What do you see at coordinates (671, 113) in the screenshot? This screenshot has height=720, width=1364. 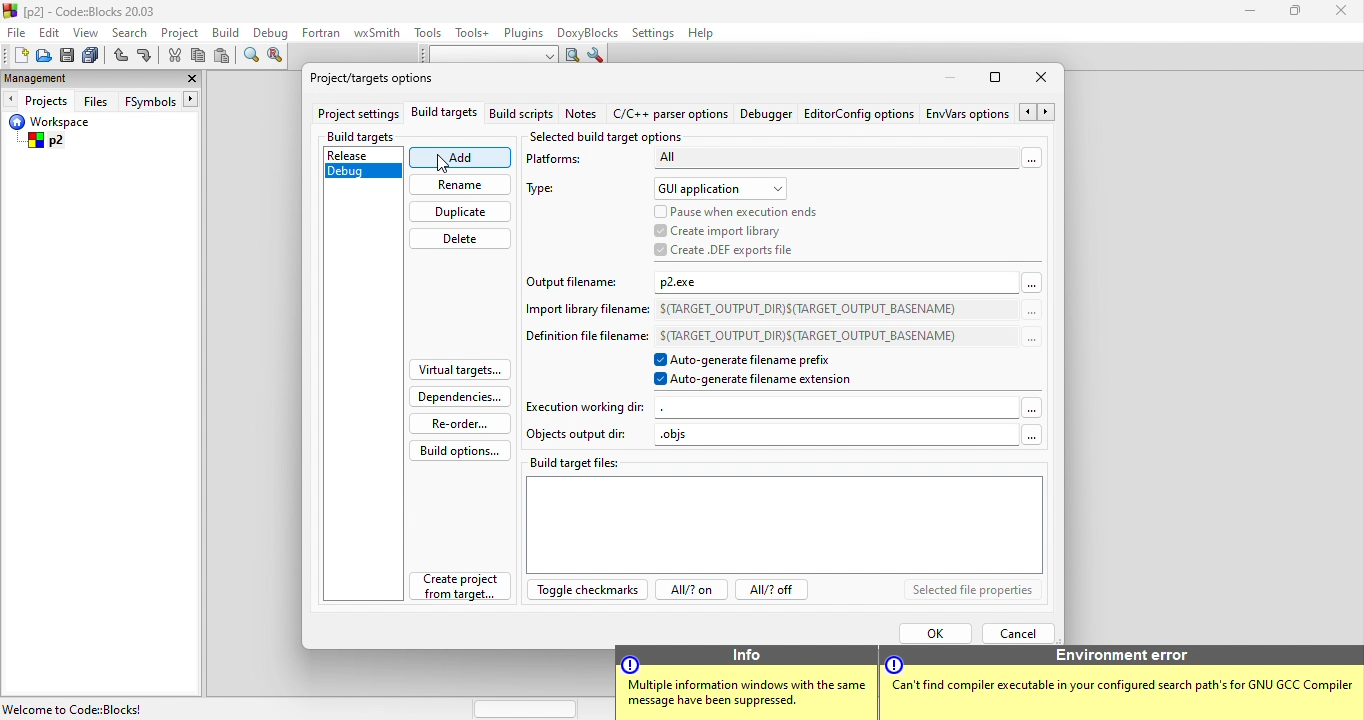 I see `c\c++parser option` at bounding box center [671, 113].